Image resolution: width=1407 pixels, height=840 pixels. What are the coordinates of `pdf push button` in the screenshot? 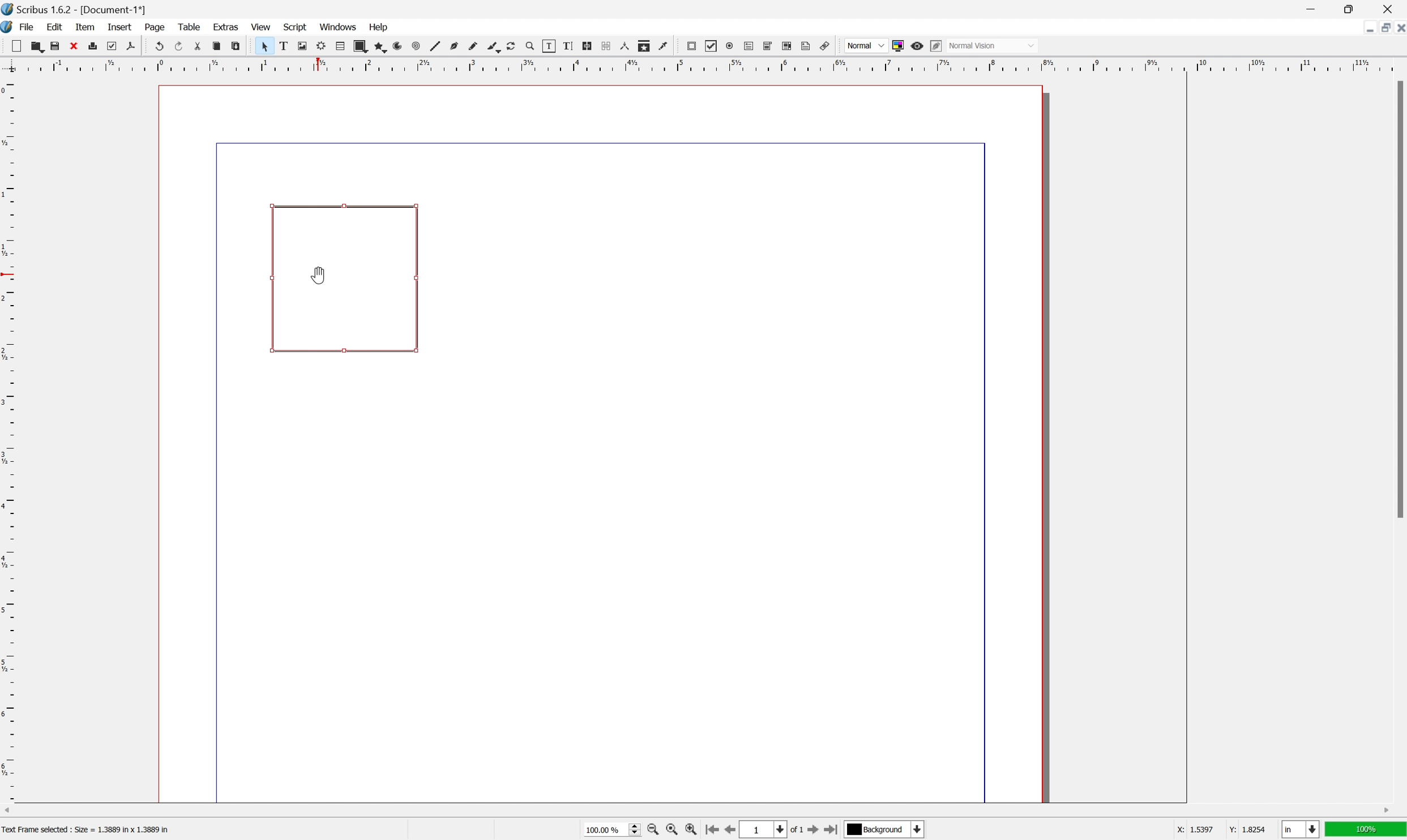 It's located at (691, 46).